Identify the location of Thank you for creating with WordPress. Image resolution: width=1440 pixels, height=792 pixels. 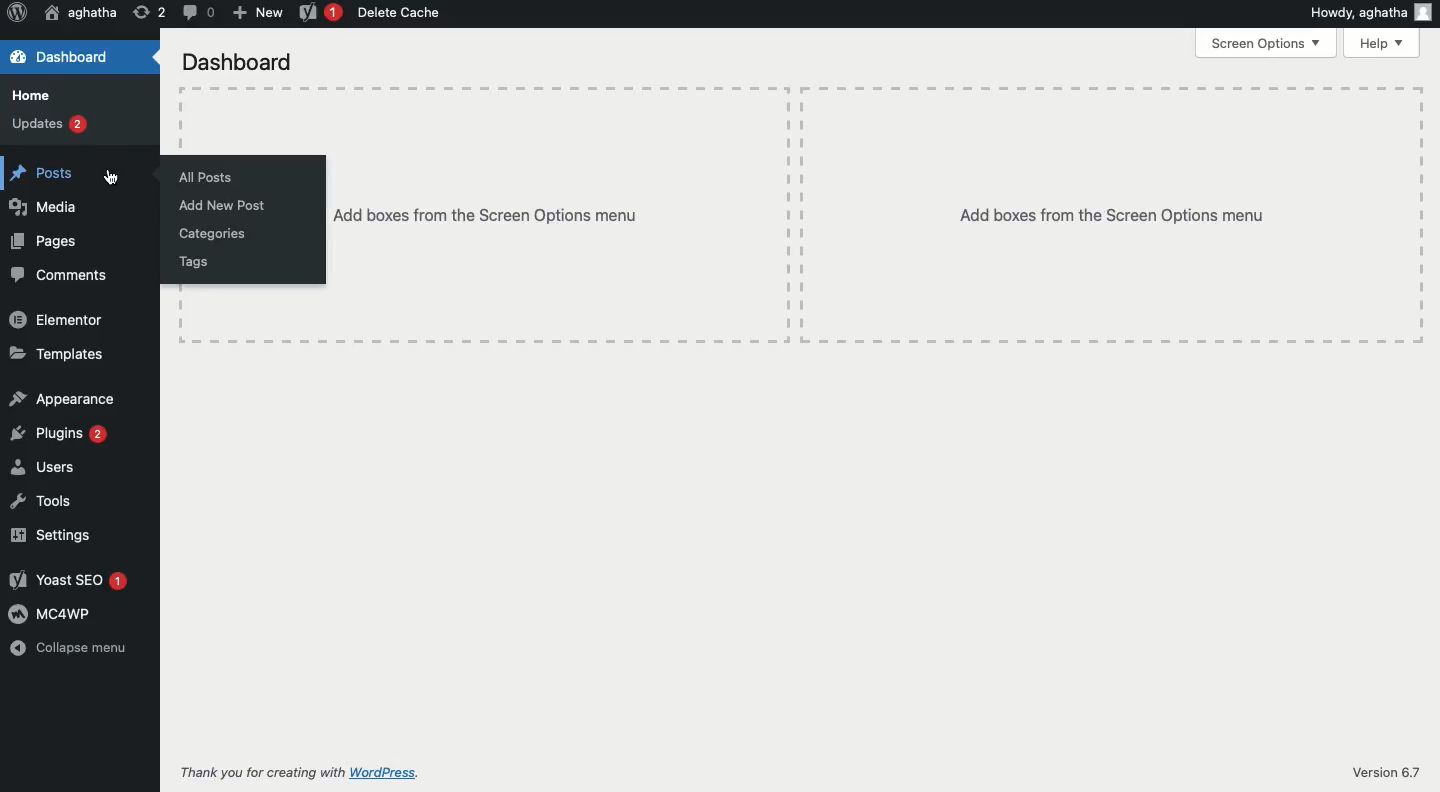
(299, 773).